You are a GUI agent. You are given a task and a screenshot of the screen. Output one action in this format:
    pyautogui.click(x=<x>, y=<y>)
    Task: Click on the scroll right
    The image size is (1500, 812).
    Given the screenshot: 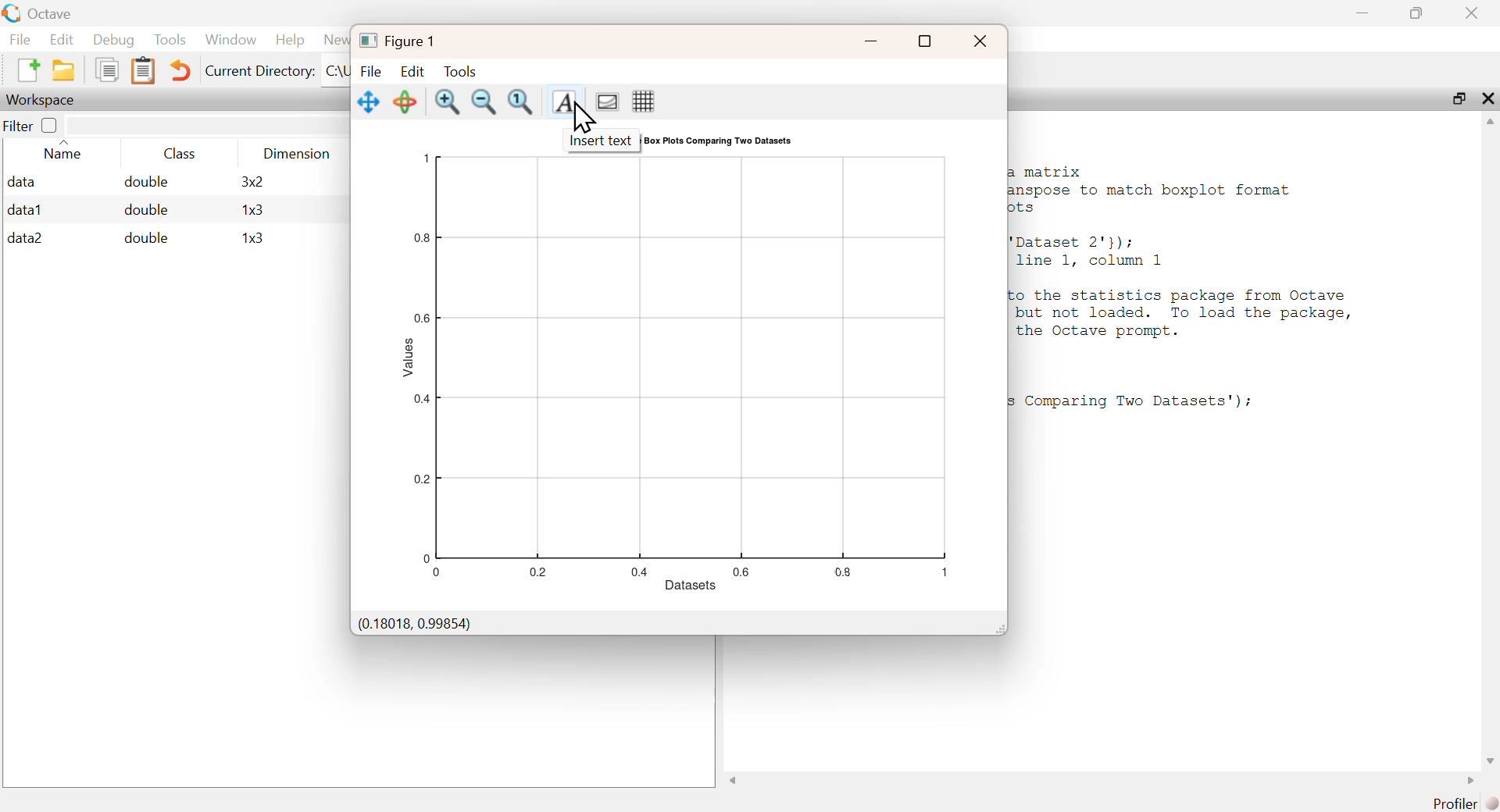 What is the action you would take?
    pyautogui.click(x=1466, y=781)
    